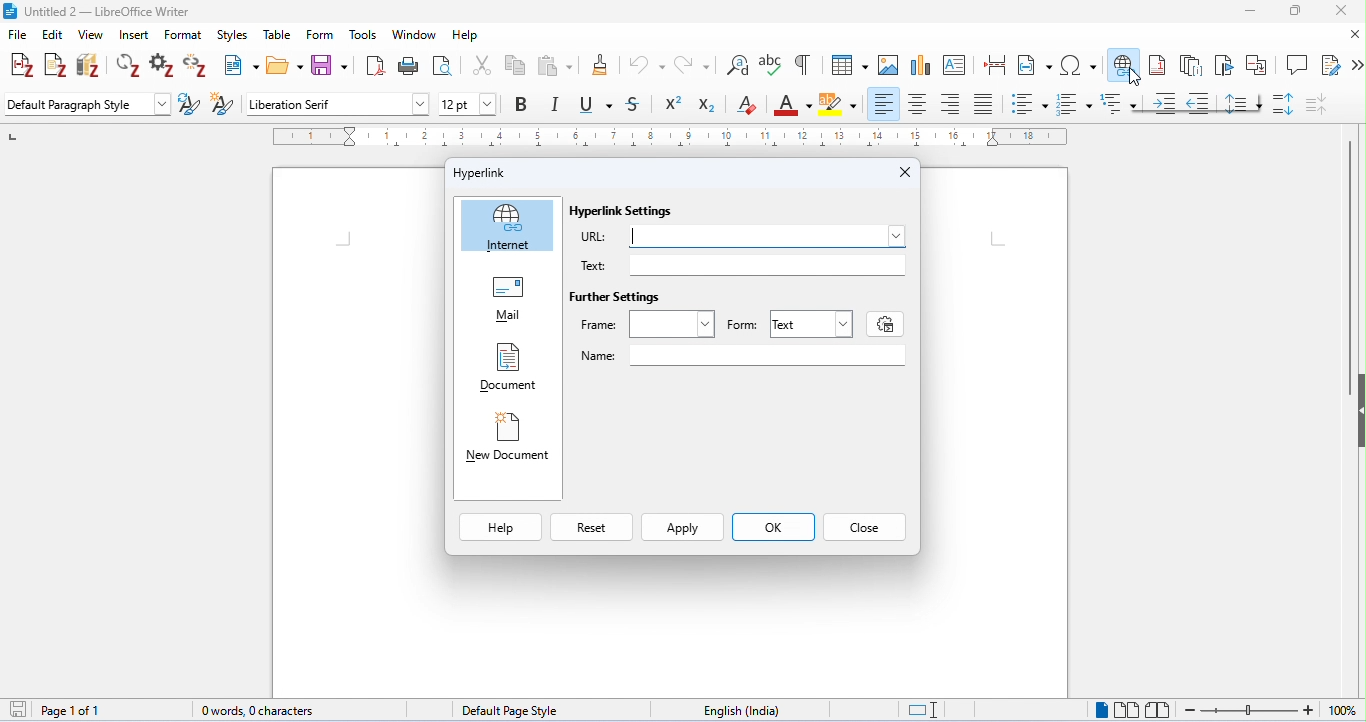 The image size is (1366, 722). Describe the element at coordinates (232, 35) in the screenshot. I see `styles` at that location.